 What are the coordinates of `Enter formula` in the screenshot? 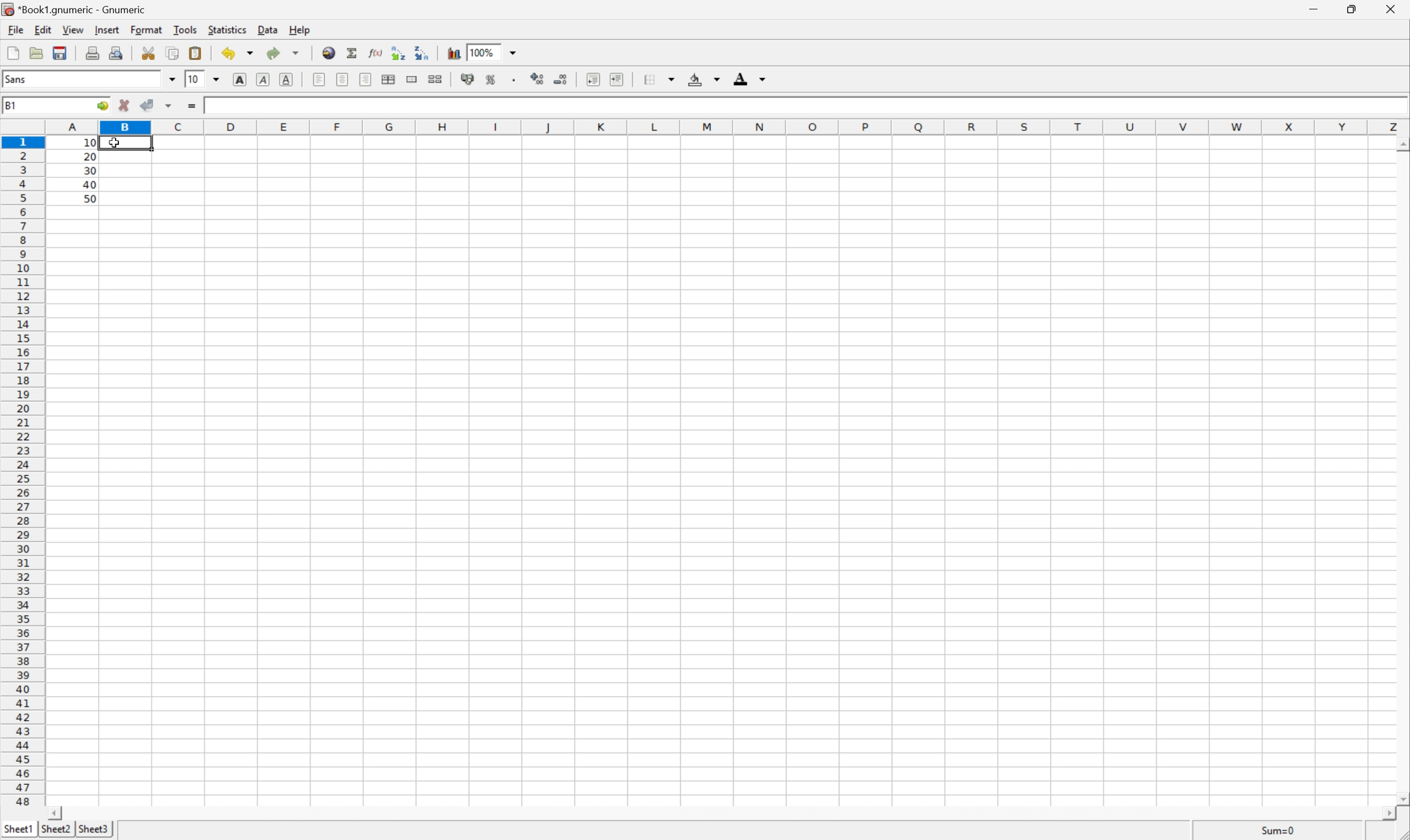 It's located at (192, 106).